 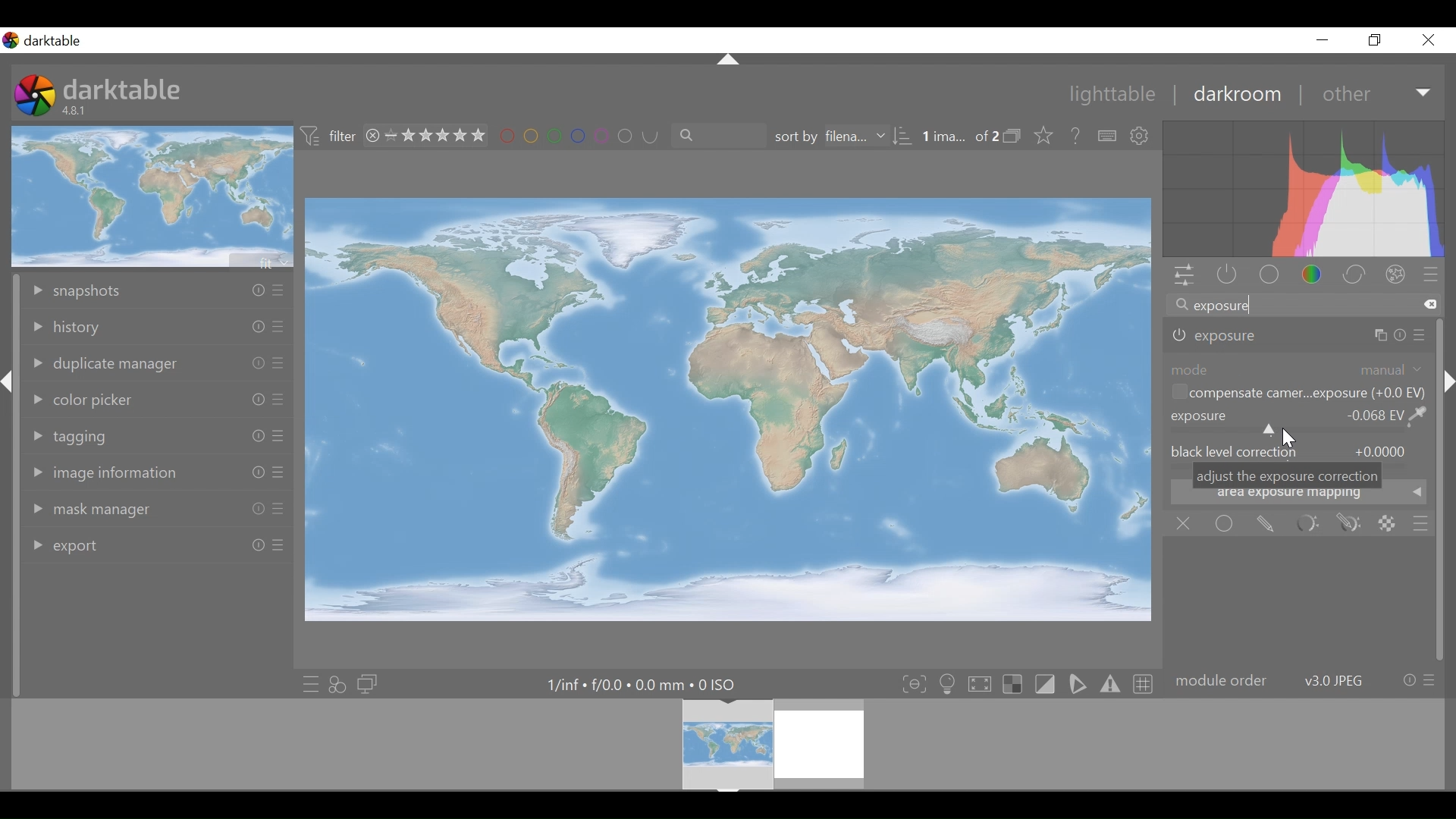 What do you see at coordinates (948, 684) in the screenshot?
I see `toggle ISO 12642 color assessment` at bounding box center [948, 684].